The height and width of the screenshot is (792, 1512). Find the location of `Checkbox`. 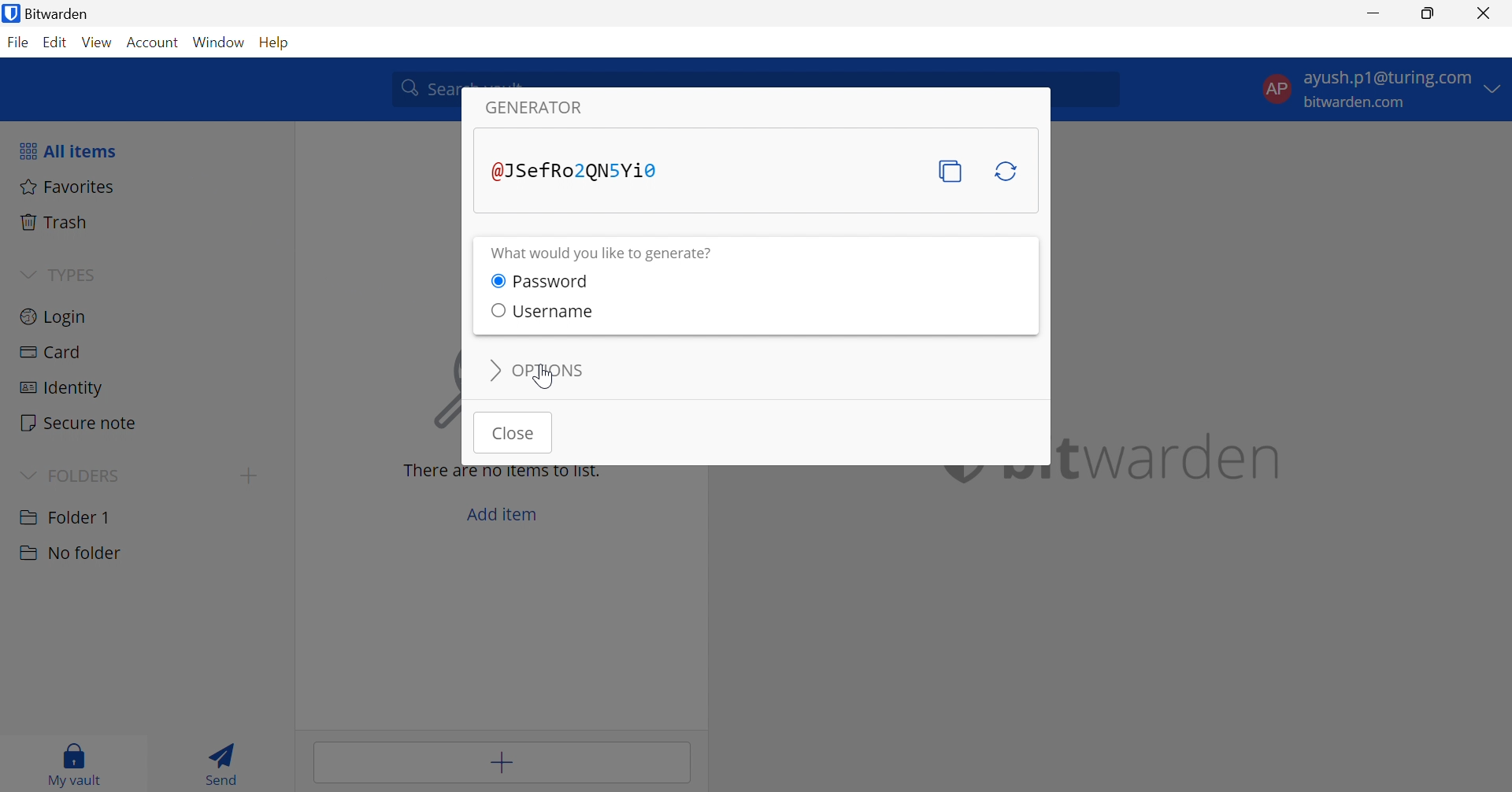

Checkbox is located at coordinates (497, 280).